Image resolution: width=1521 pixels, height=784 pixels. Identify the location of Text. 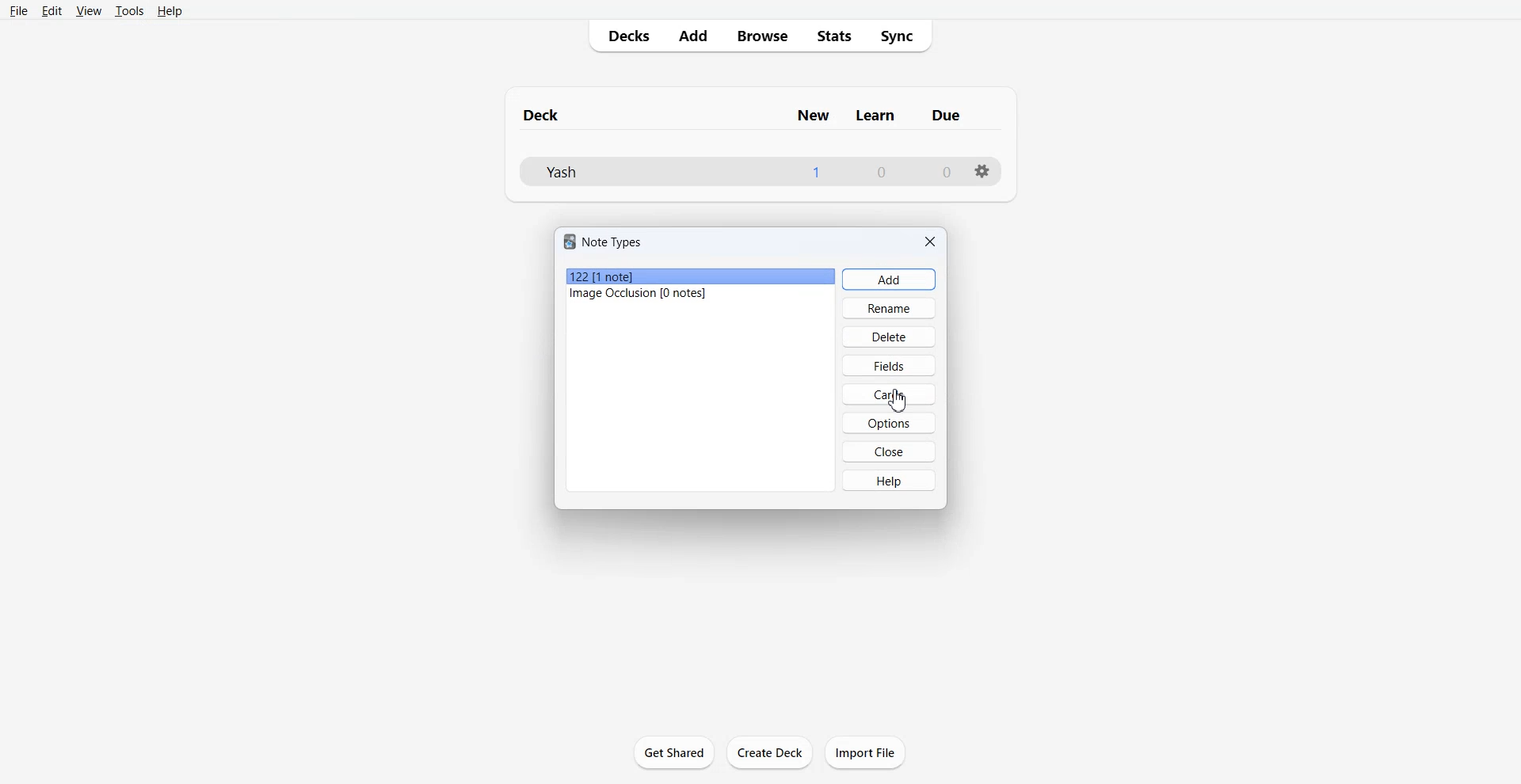
(882, 173).